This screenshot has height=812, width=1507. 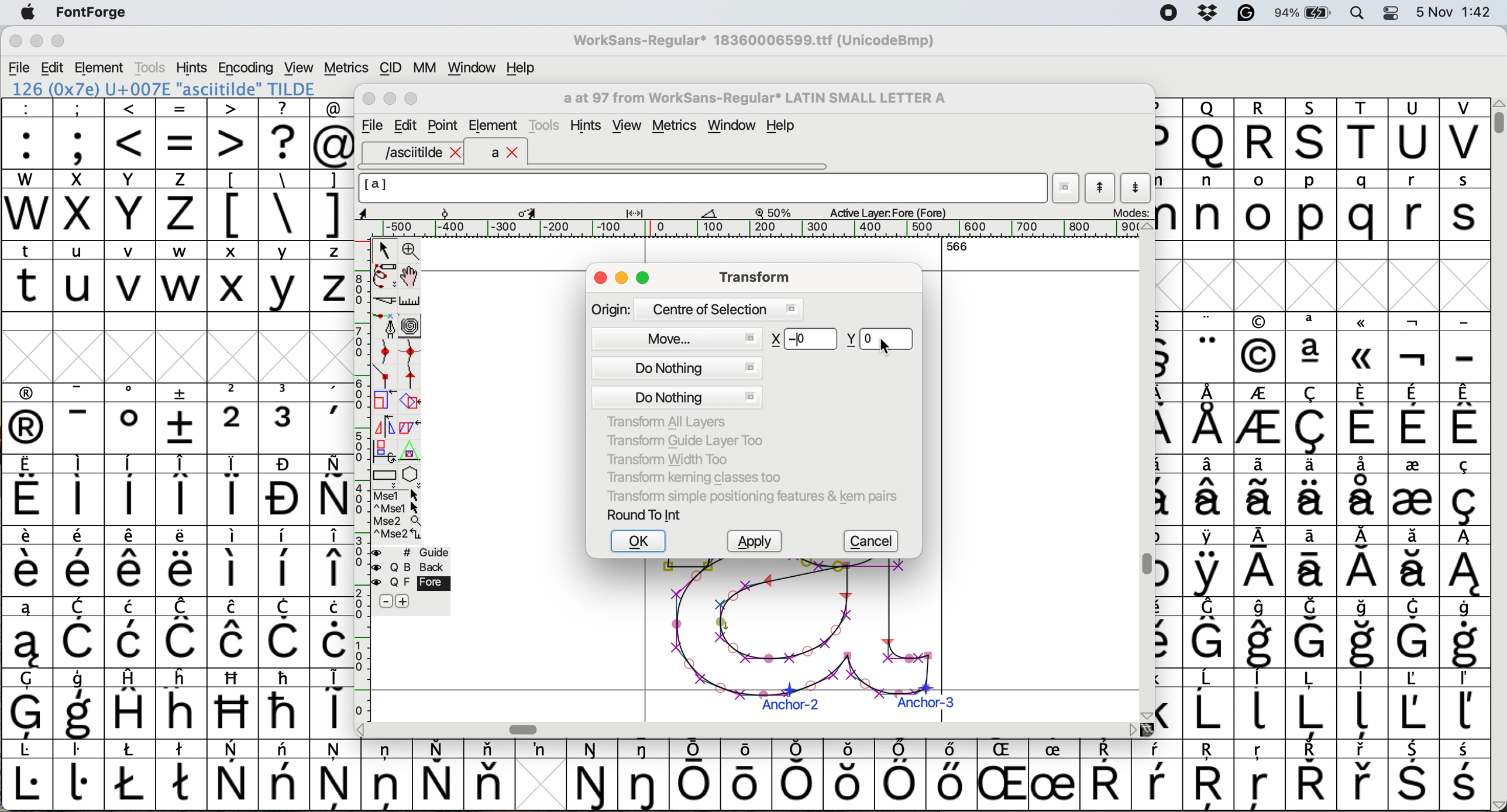 What do you see at coordinates (411, 325) in the screenshot?
I see `change whether spiro is active or not` at bounding box center [411, 325].